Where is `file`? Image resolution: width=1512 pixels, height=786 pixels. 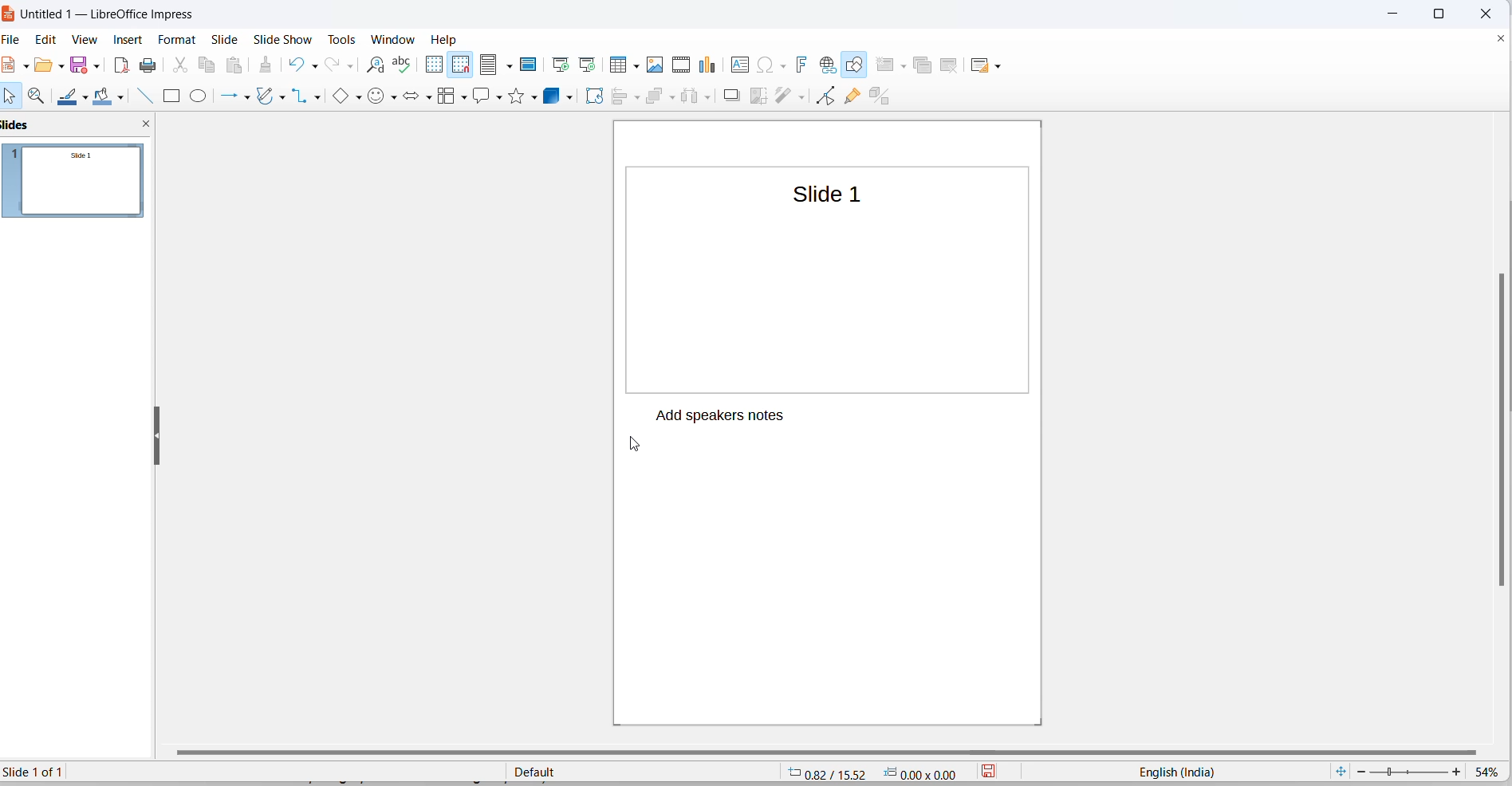 file is located at coordinates (16, 41).